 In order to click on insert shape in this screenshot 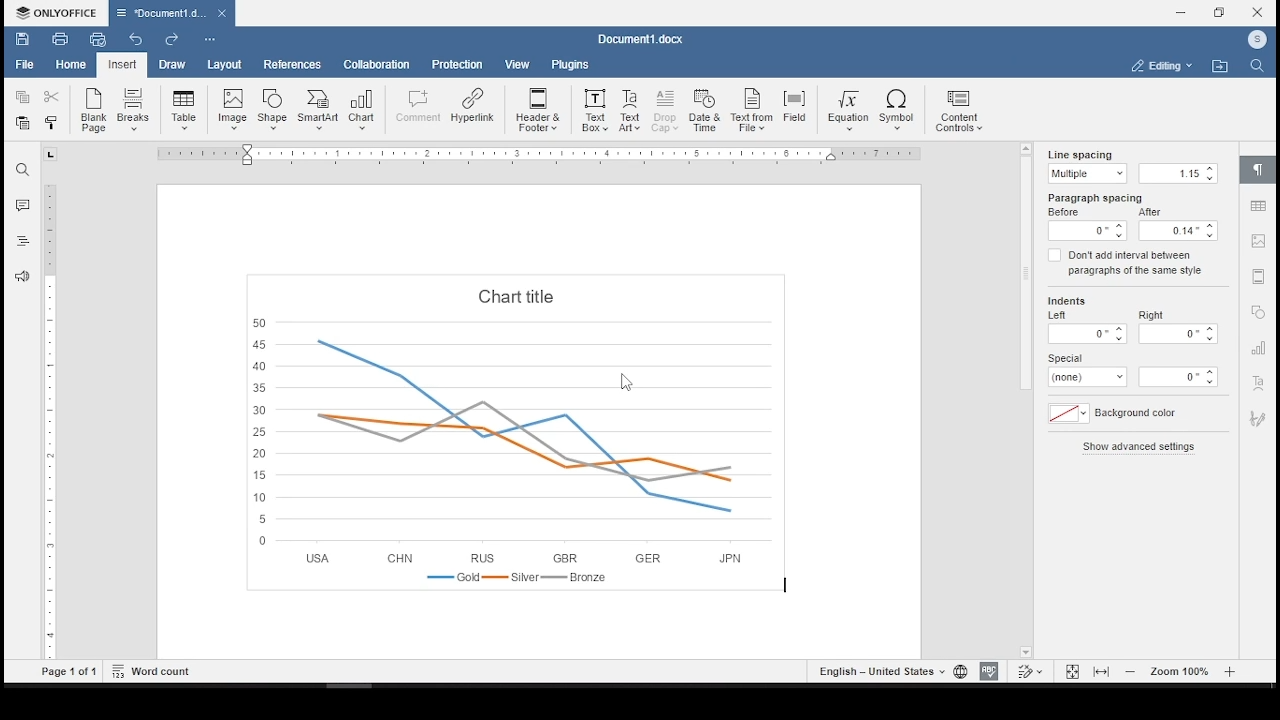, I will do `click(273, 109)`.